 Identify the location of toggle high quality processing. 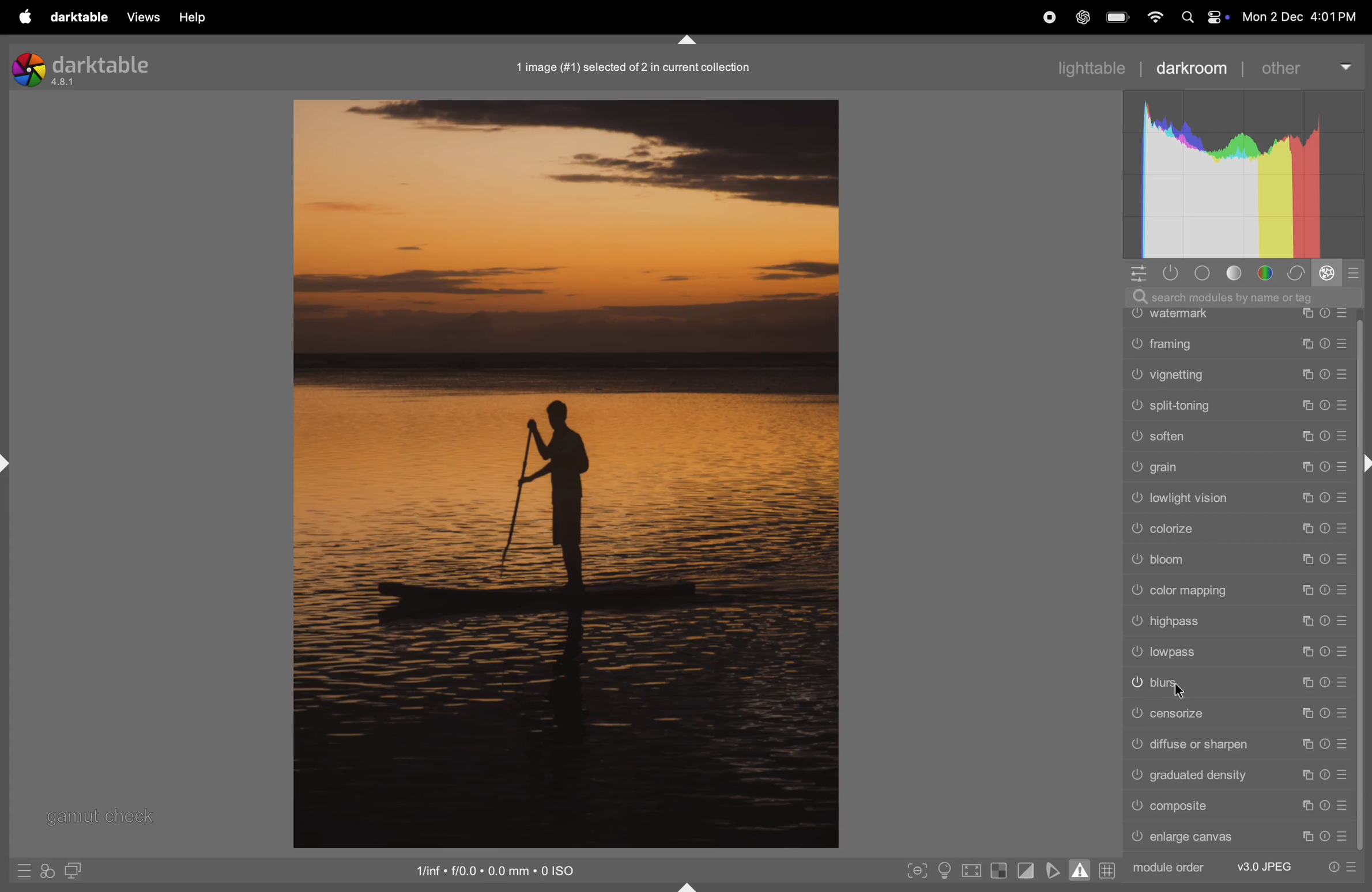
(974, 870).